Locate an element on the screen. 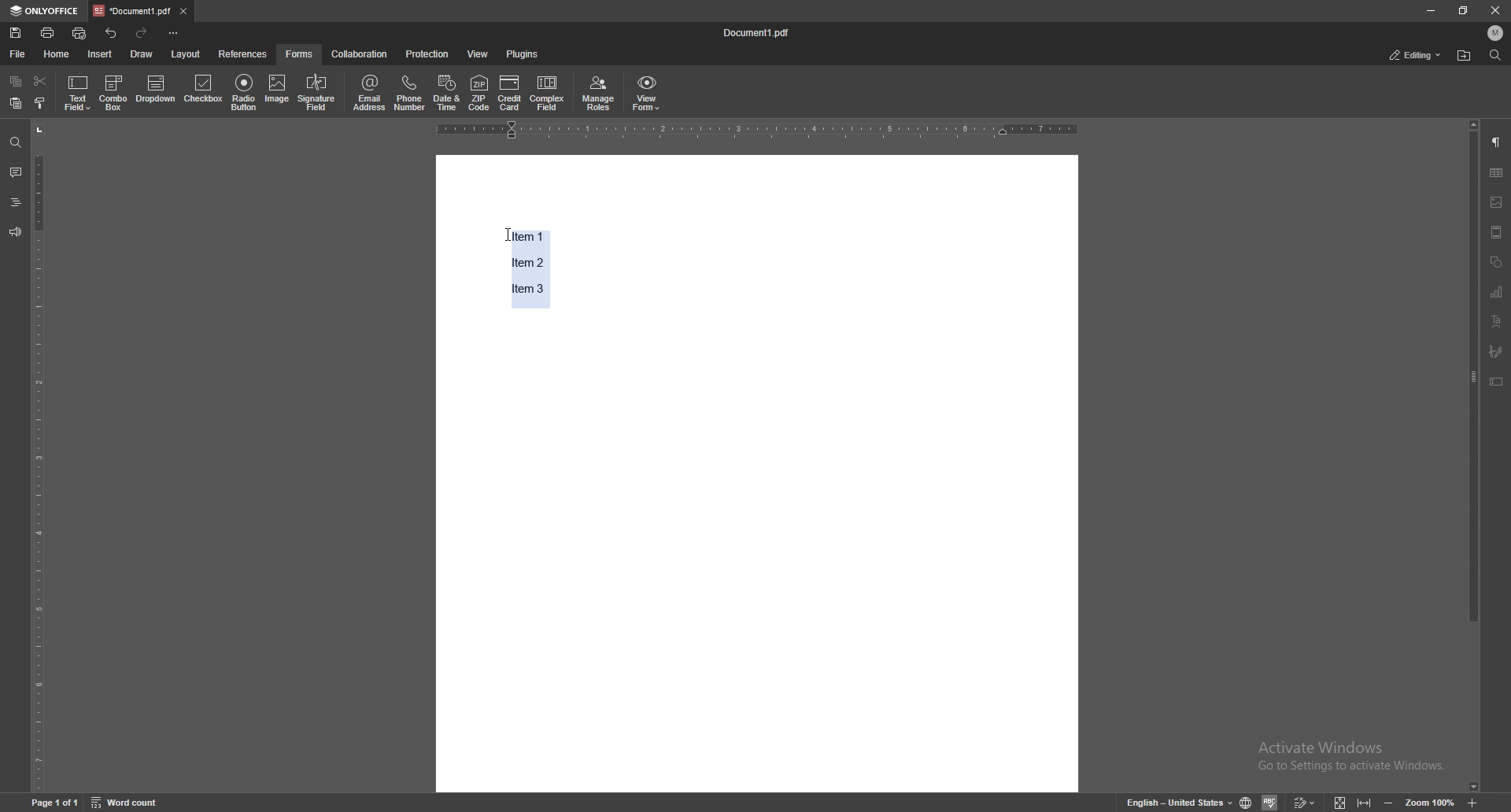 This screenshot has width=1511, height=812. protection is located at coordinates (429, 54).